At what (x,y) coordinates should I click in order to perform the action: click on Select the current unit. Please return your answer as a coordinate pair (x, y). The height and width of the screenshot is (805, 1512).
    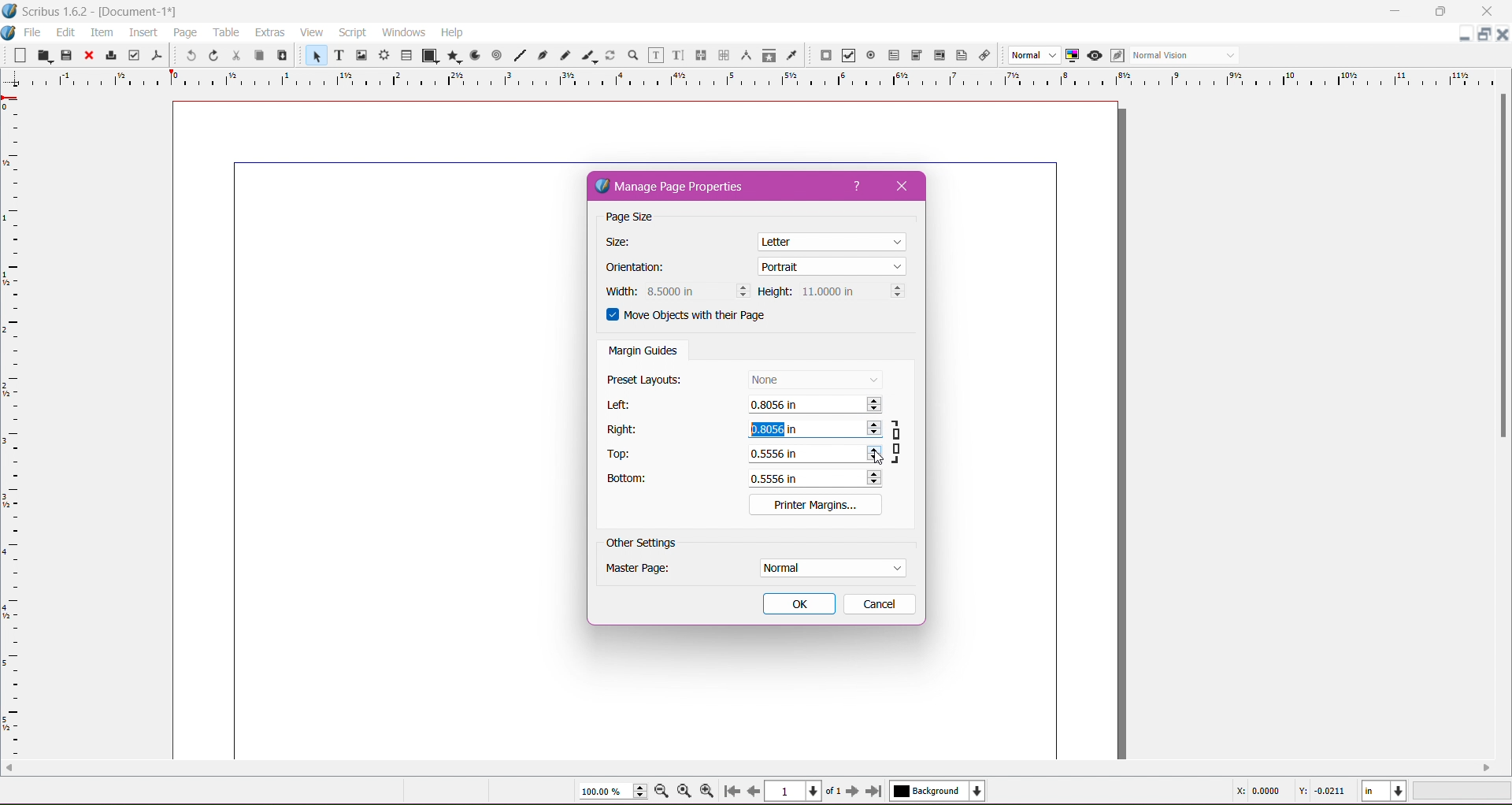
    Looking at the image, I should click on (1384, 792).